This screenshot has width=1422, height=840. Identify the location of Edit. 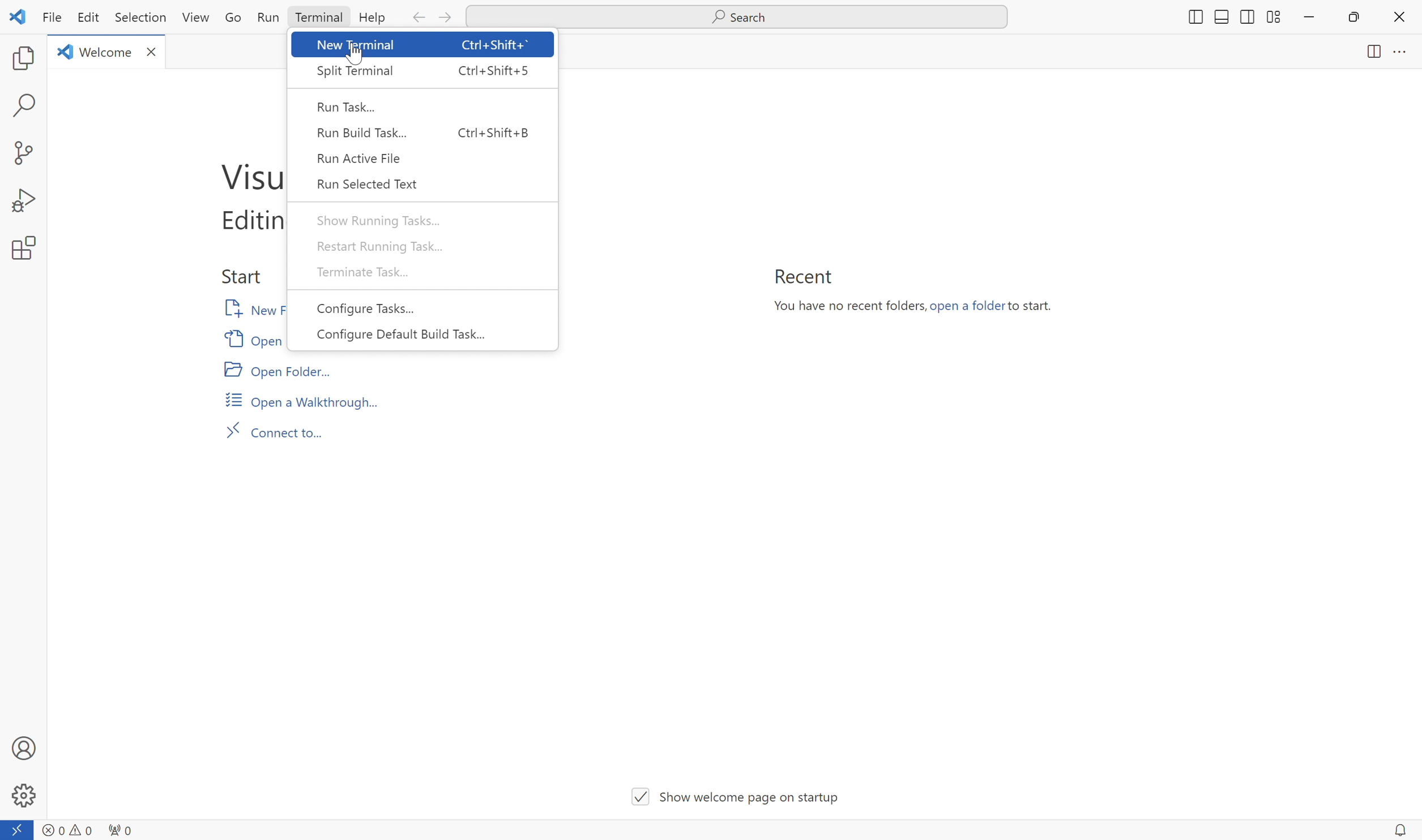
(87, 18).